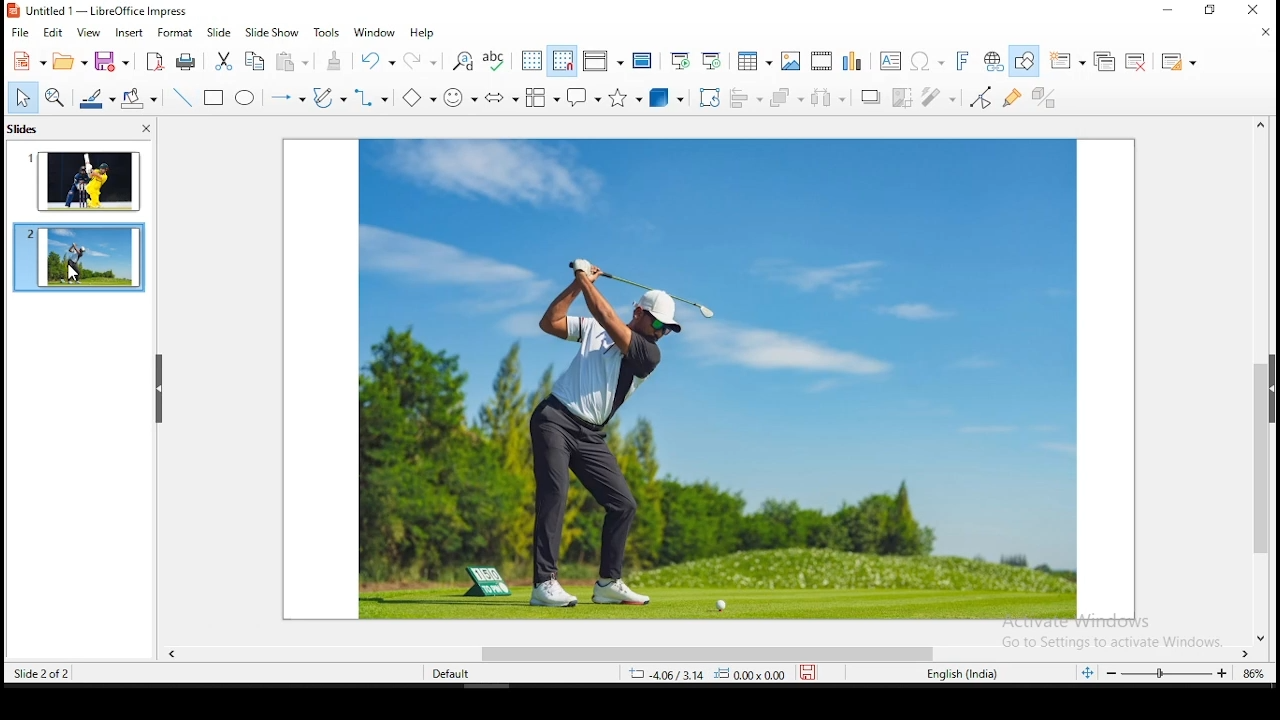  What do you see at coordinates (452, 675) in the screenshot?
I see `default` at bounding box center [452, 675].